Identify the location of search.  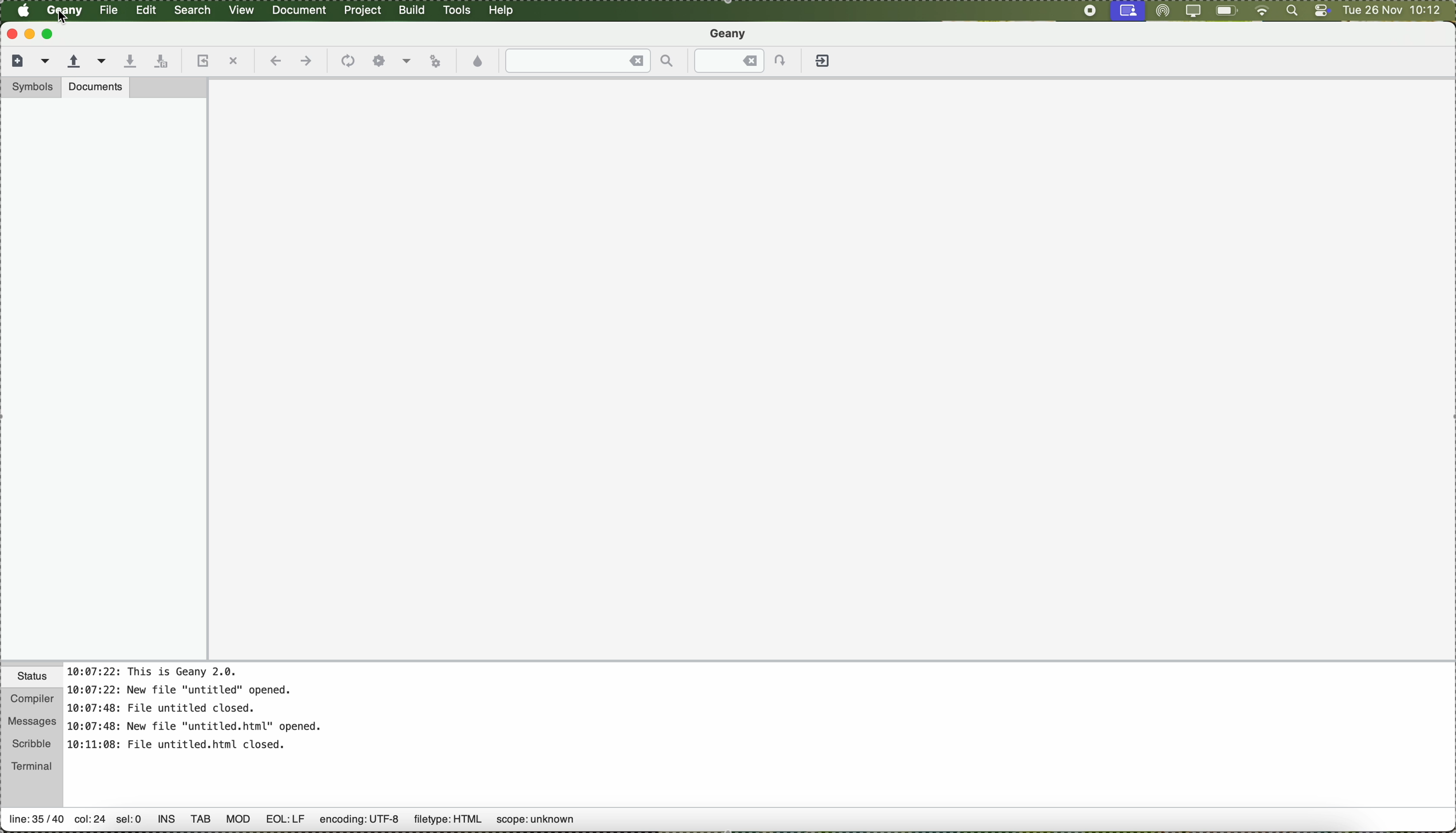
(196, 11).